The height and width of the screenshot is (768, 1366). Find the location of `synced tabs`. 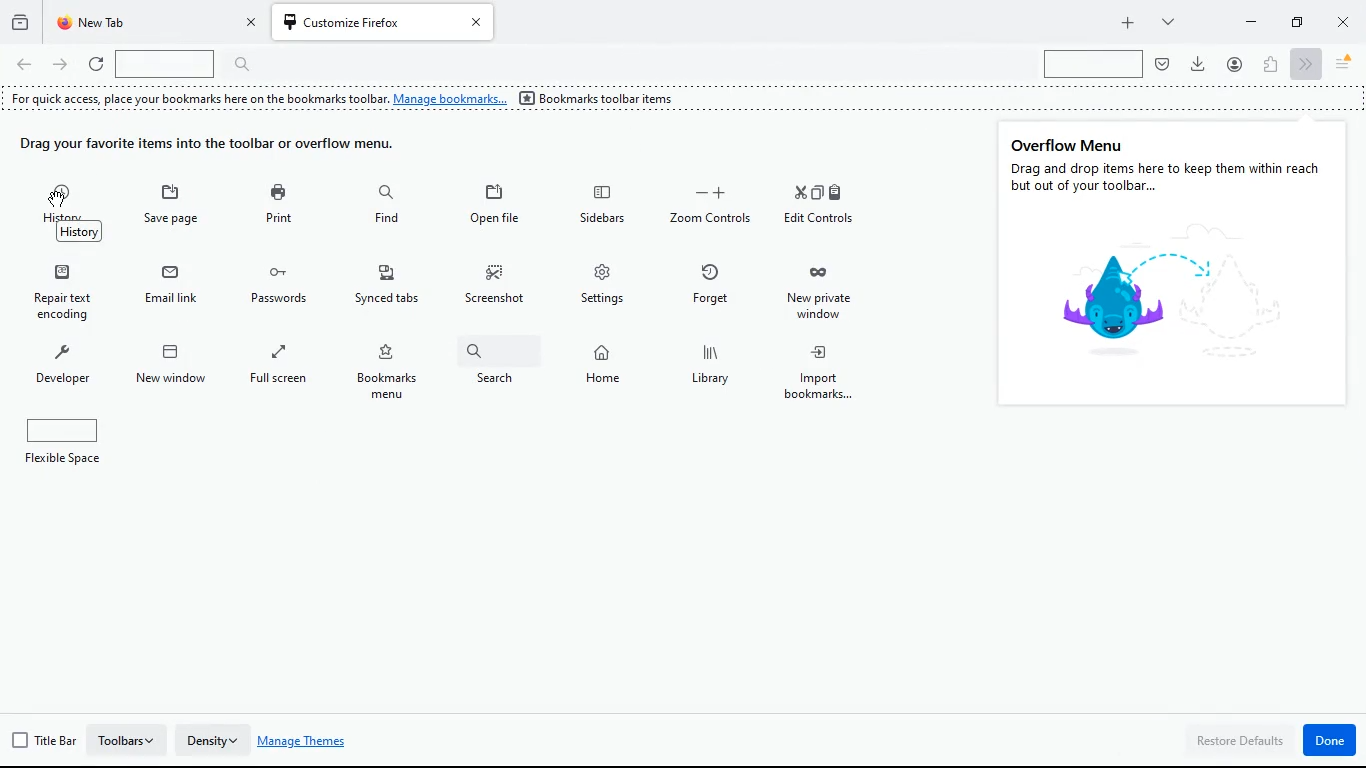

synced tabs is located at coordinates (391, 289).